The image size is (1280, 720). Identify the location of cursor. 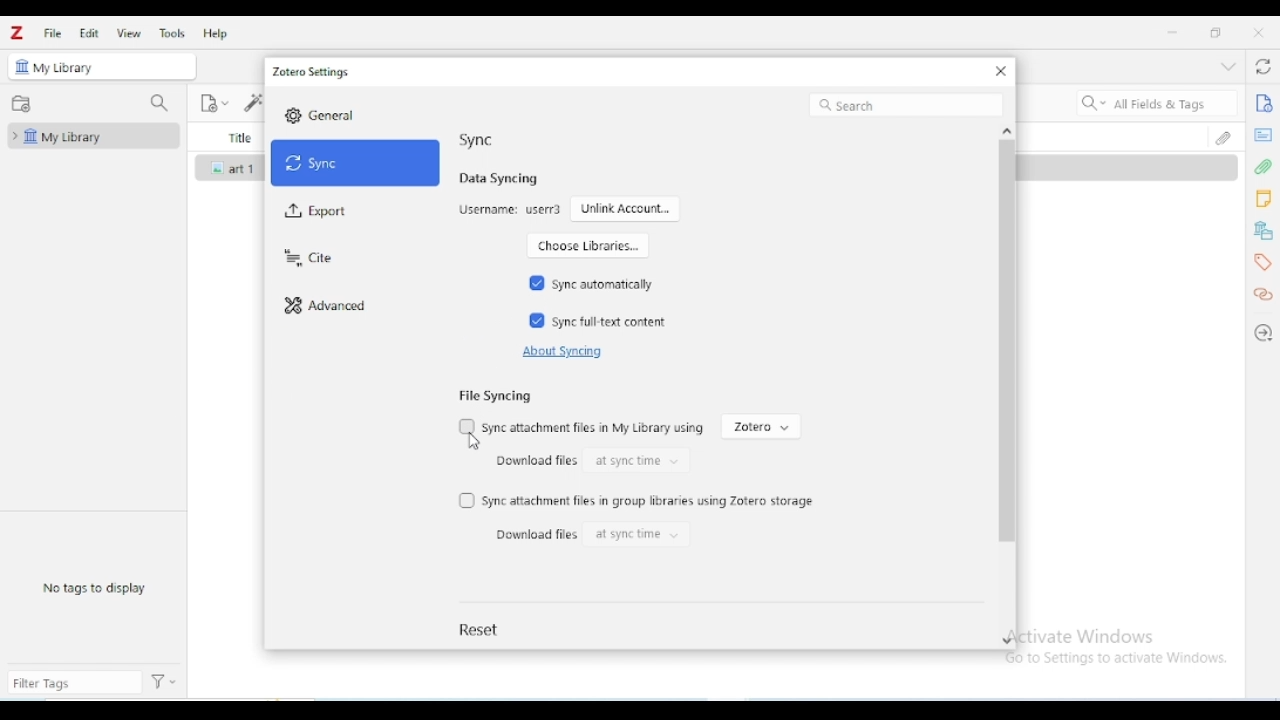
(474, 442).